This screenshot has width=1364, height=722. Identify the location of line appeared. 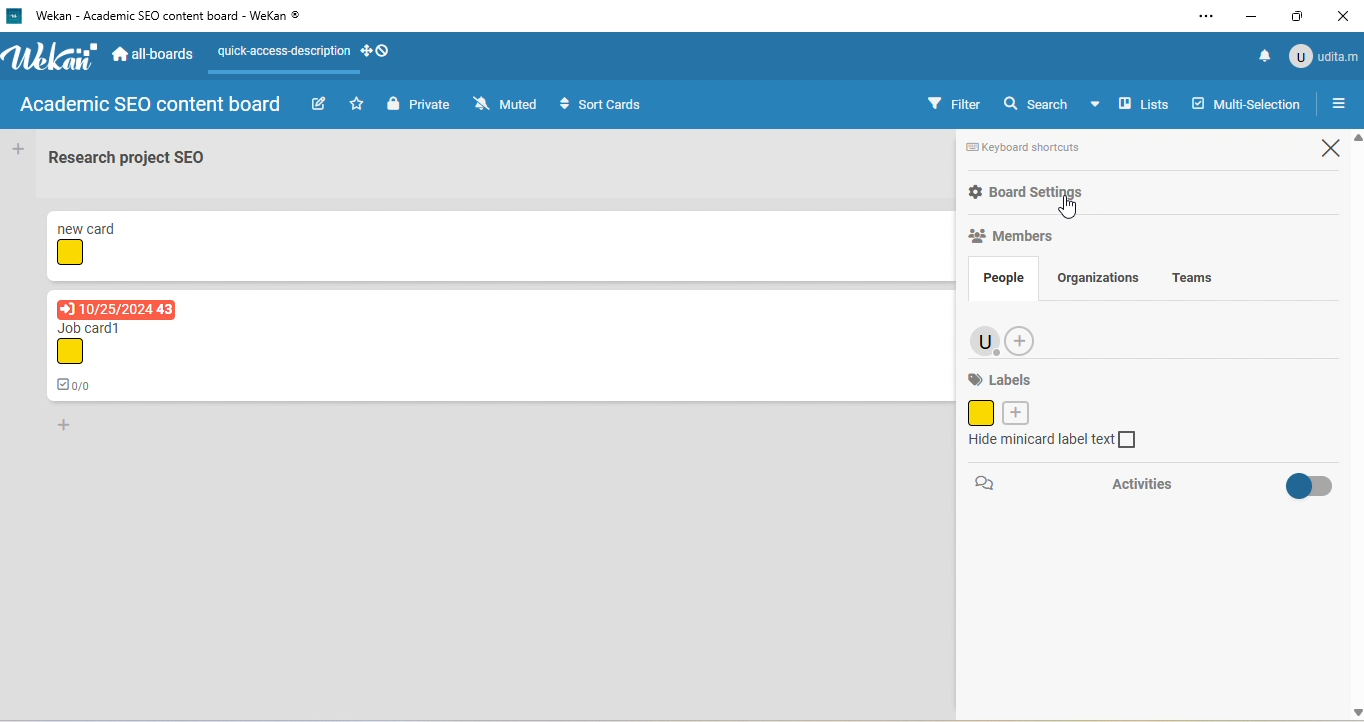
(293, 73).